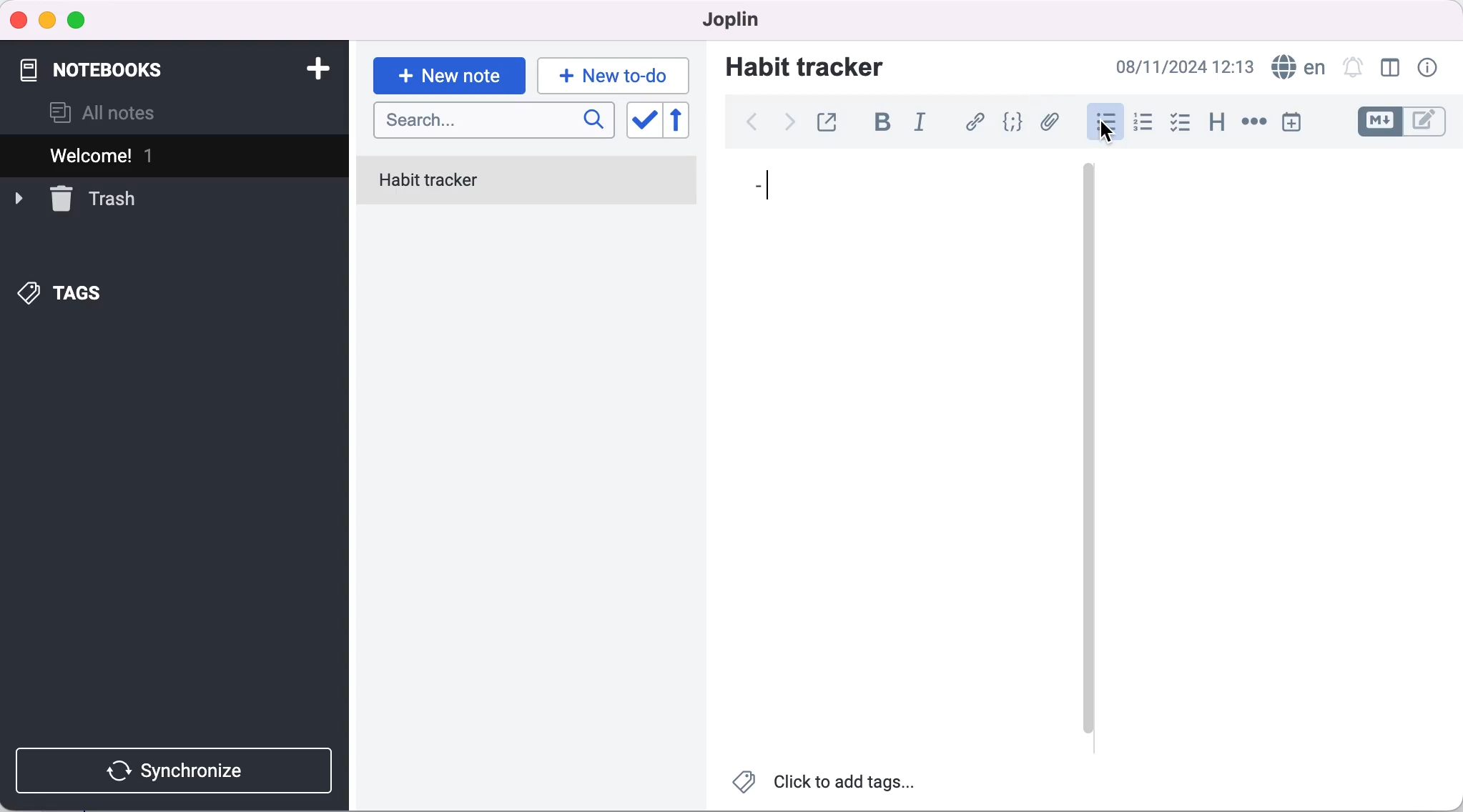  Describe the element at coordinates (1181, 124) in the screenshot. I see `checkbox` at that location.